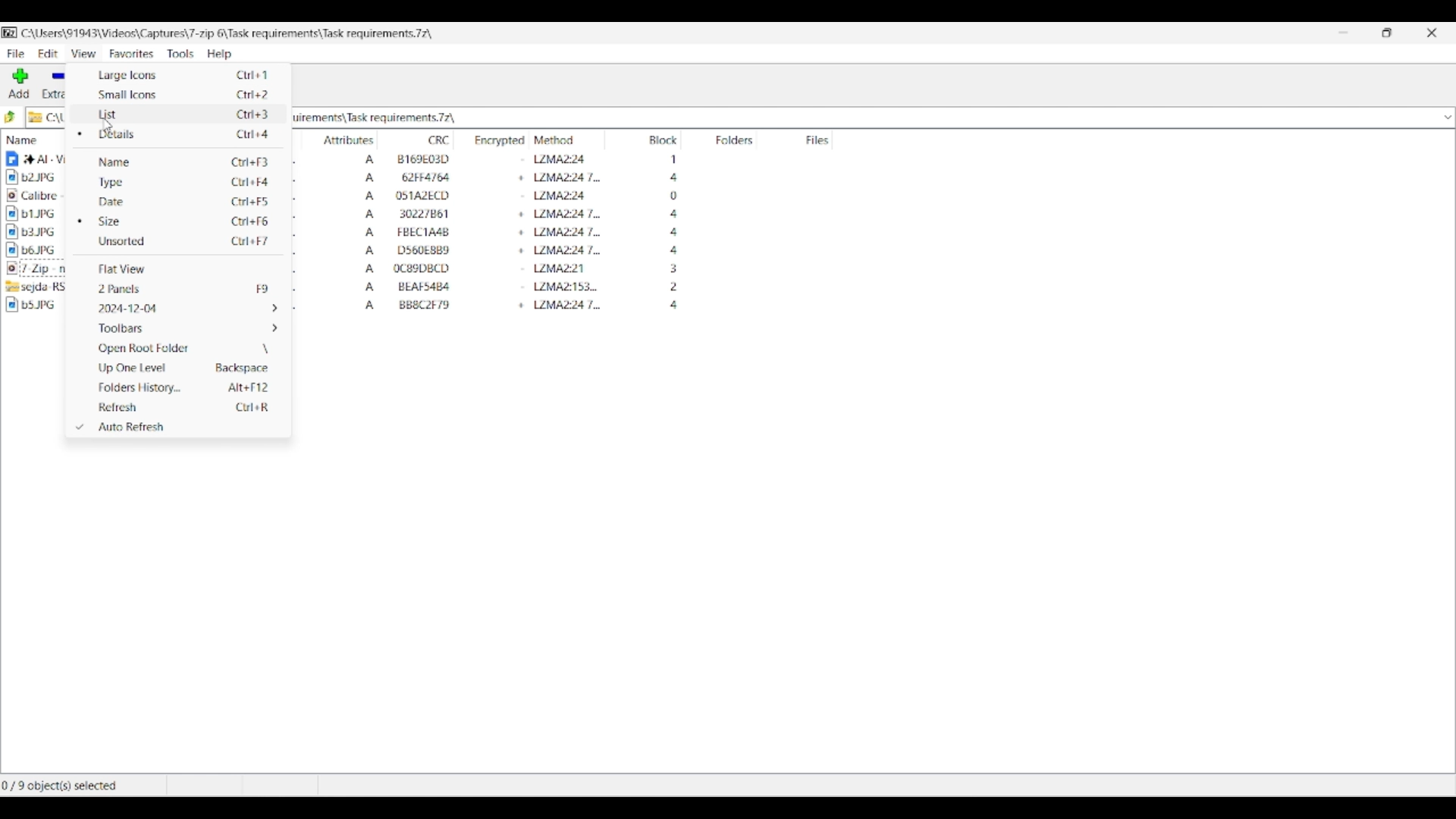  What do you see at coordinates (16, 54) in the screenshot?
I see `File menu` at bounding box center [16, 54].